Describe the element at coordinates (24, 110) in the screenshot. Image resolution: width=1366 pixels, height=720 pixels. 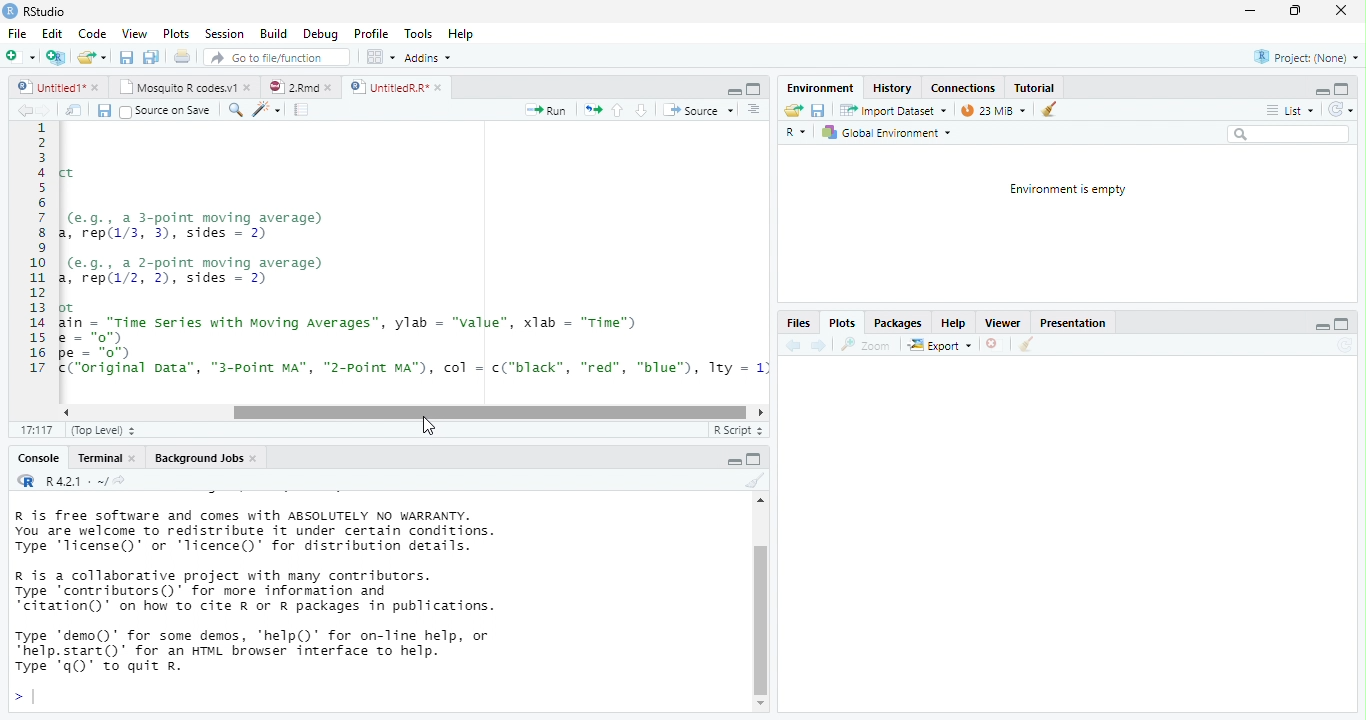
I see `back` at that location.